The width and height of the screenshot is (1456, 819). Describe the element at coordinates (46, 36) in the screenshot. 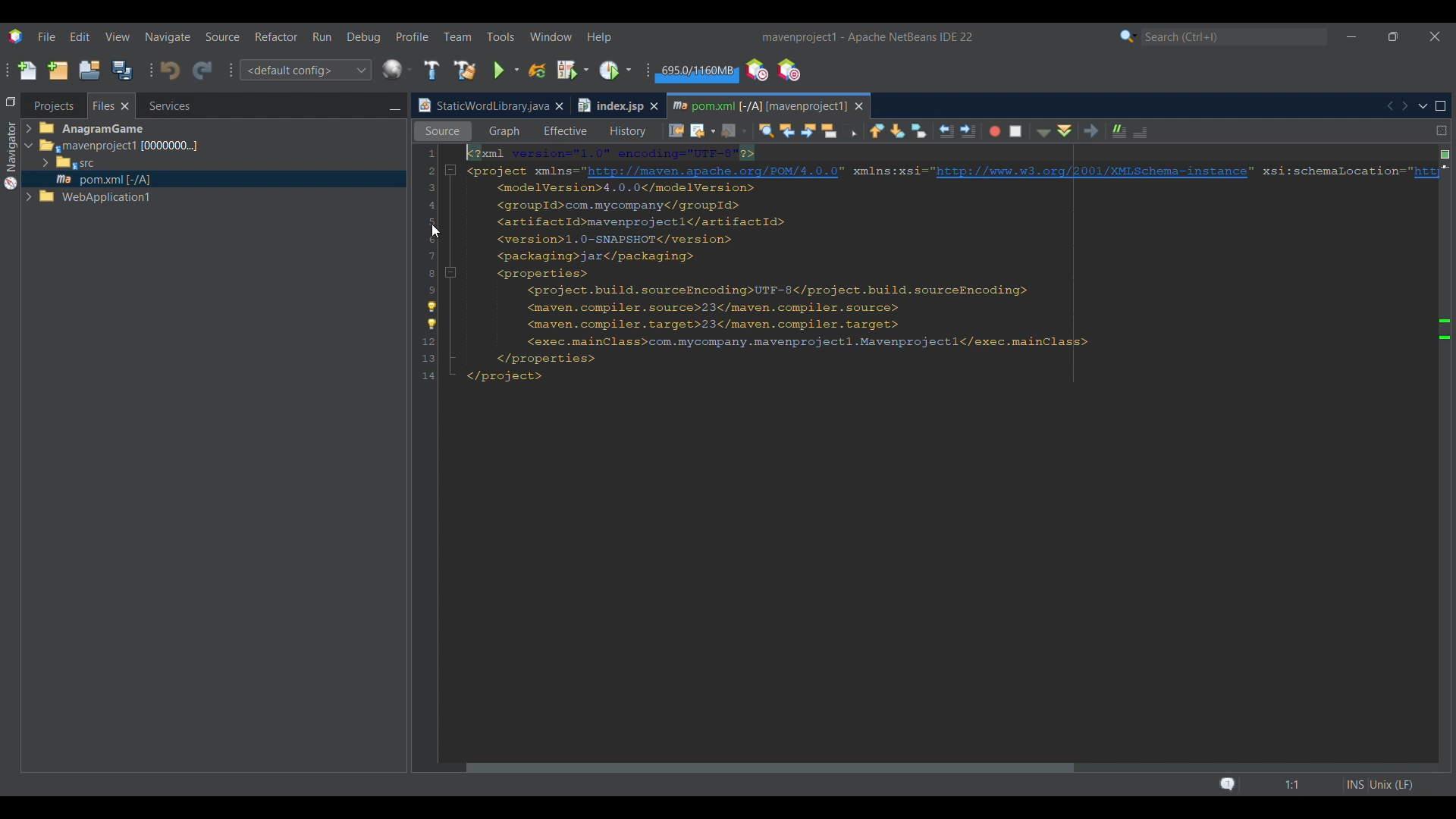

I see `File menu` at that location.